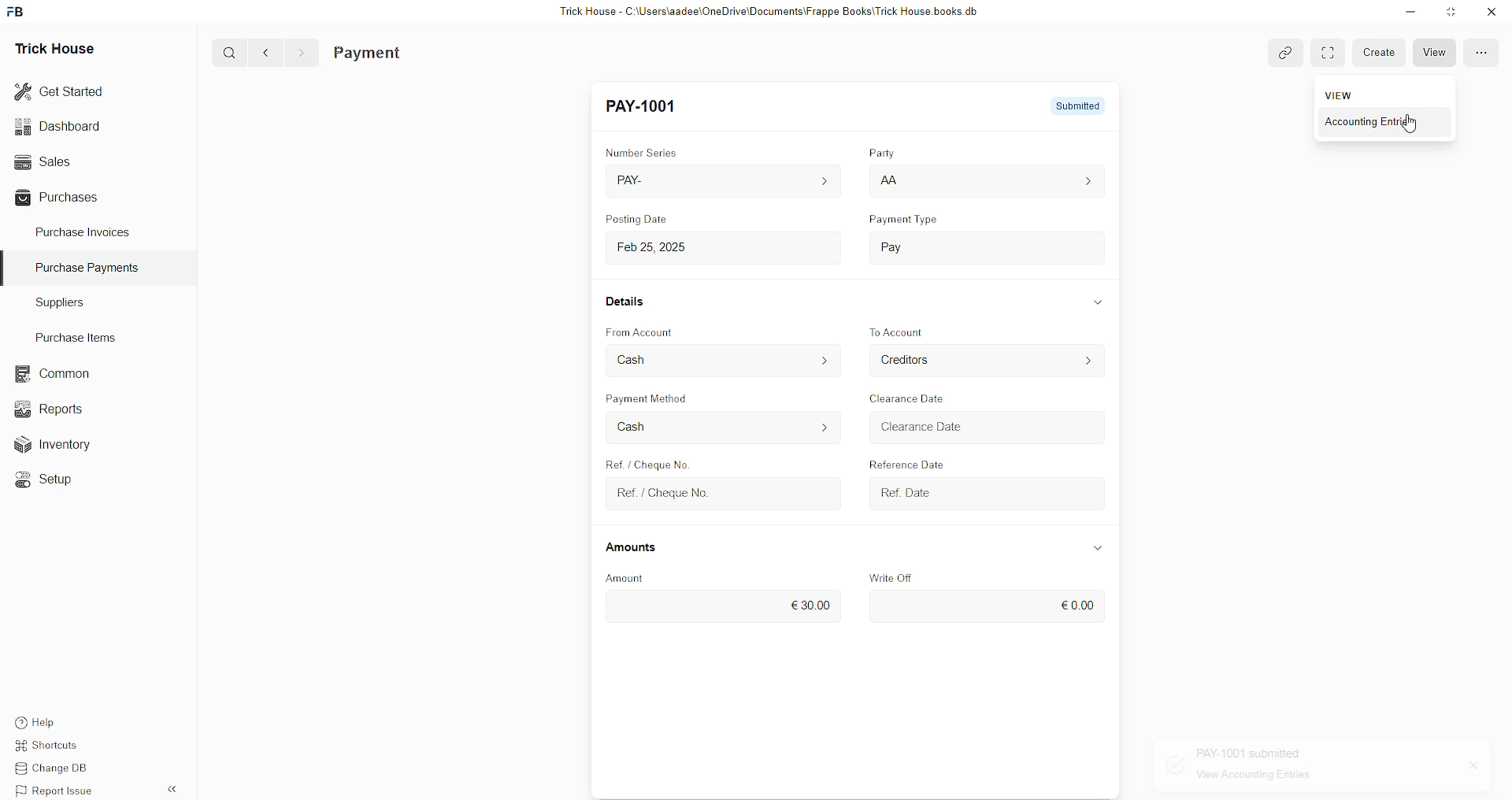  Describe the element at coordinates (1450, 13) in the screenshot. I see `minimise window` at that location.